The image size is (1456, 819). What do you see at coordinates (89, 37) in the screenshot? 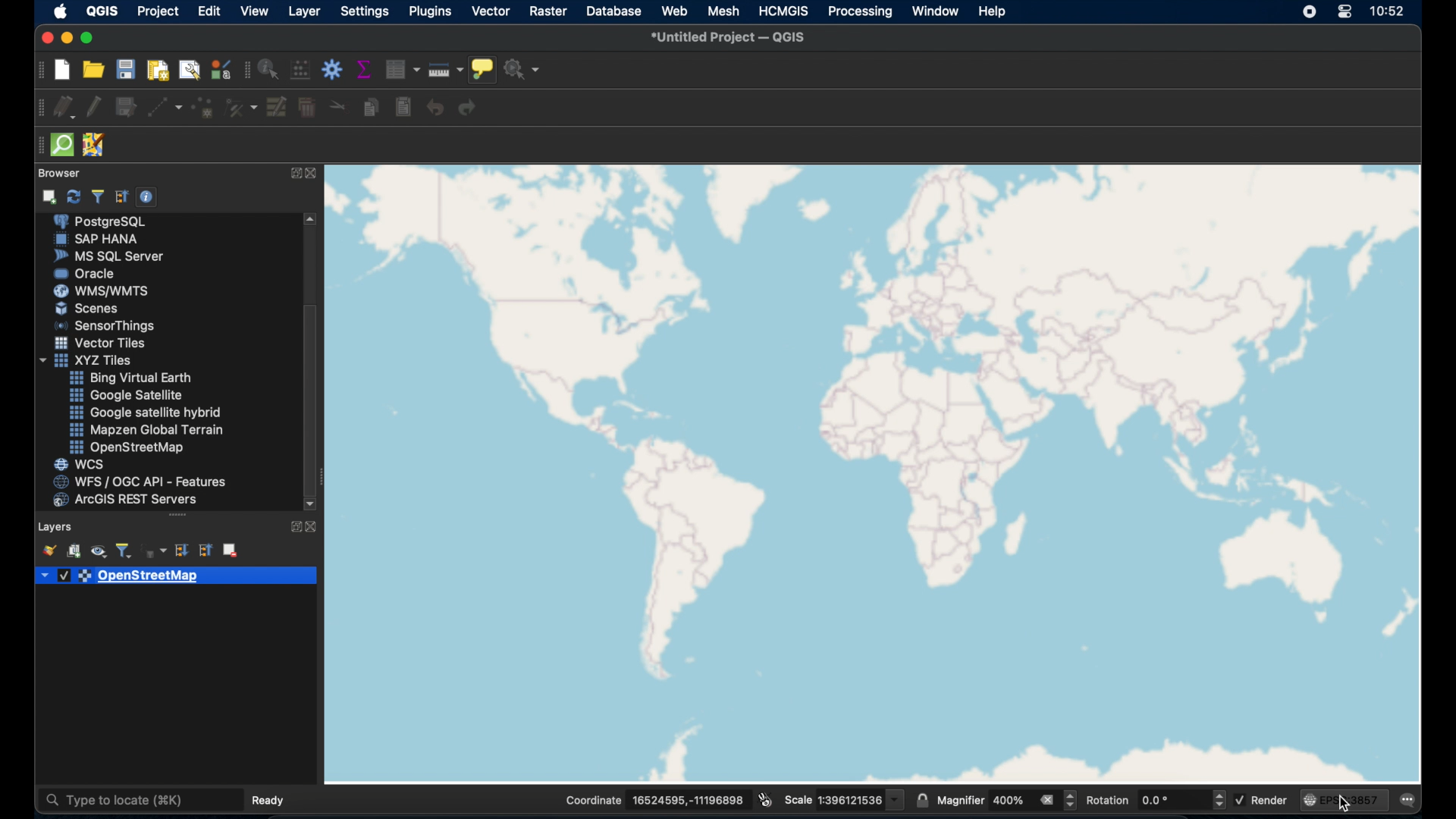
I see `maximize` at bounding box center [89, 37].